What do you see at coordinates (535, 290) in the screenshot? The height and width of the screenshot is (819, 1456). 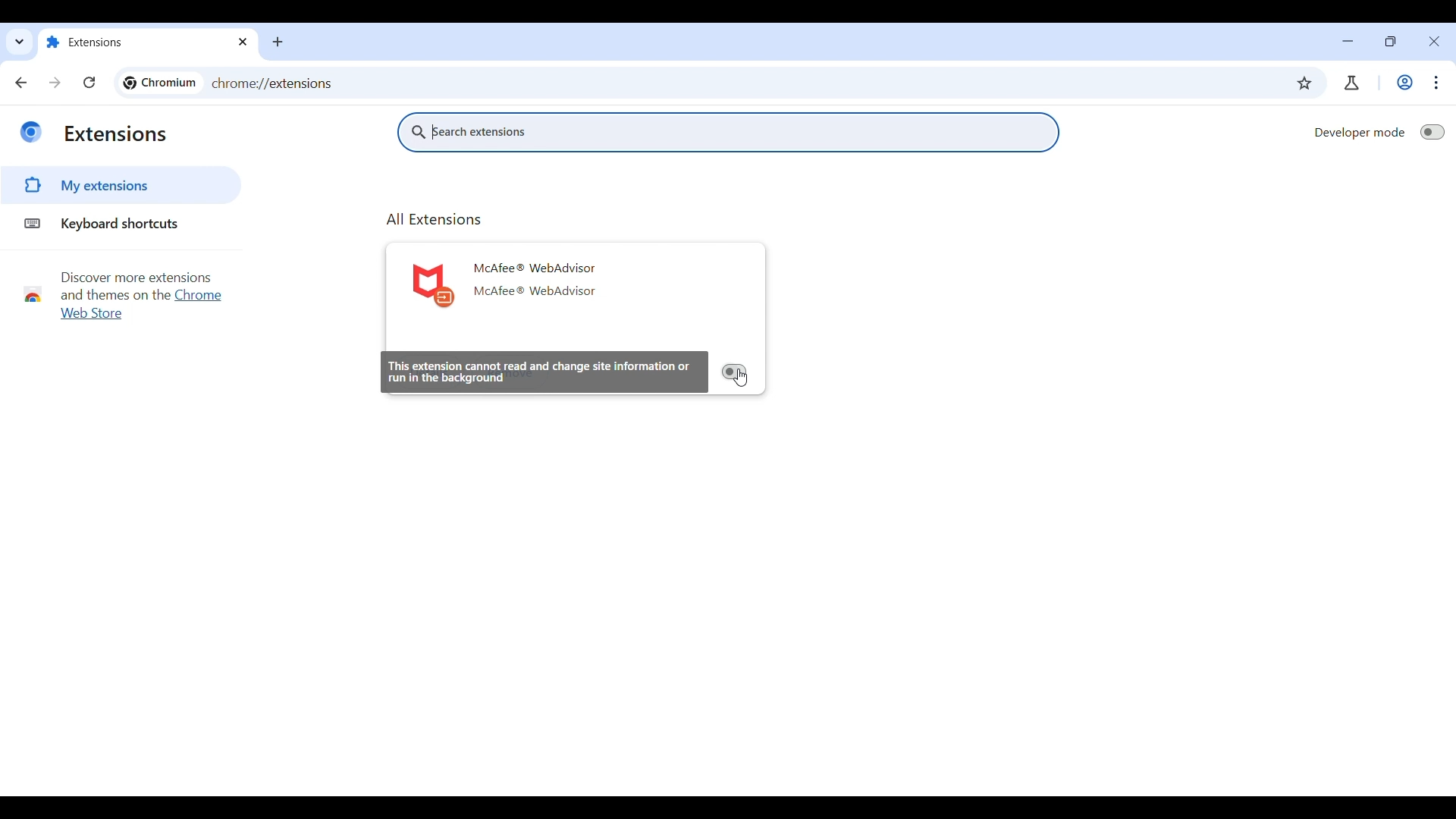 I see `McAfee ® WebAdvisor` at bounding box center [535, 290].